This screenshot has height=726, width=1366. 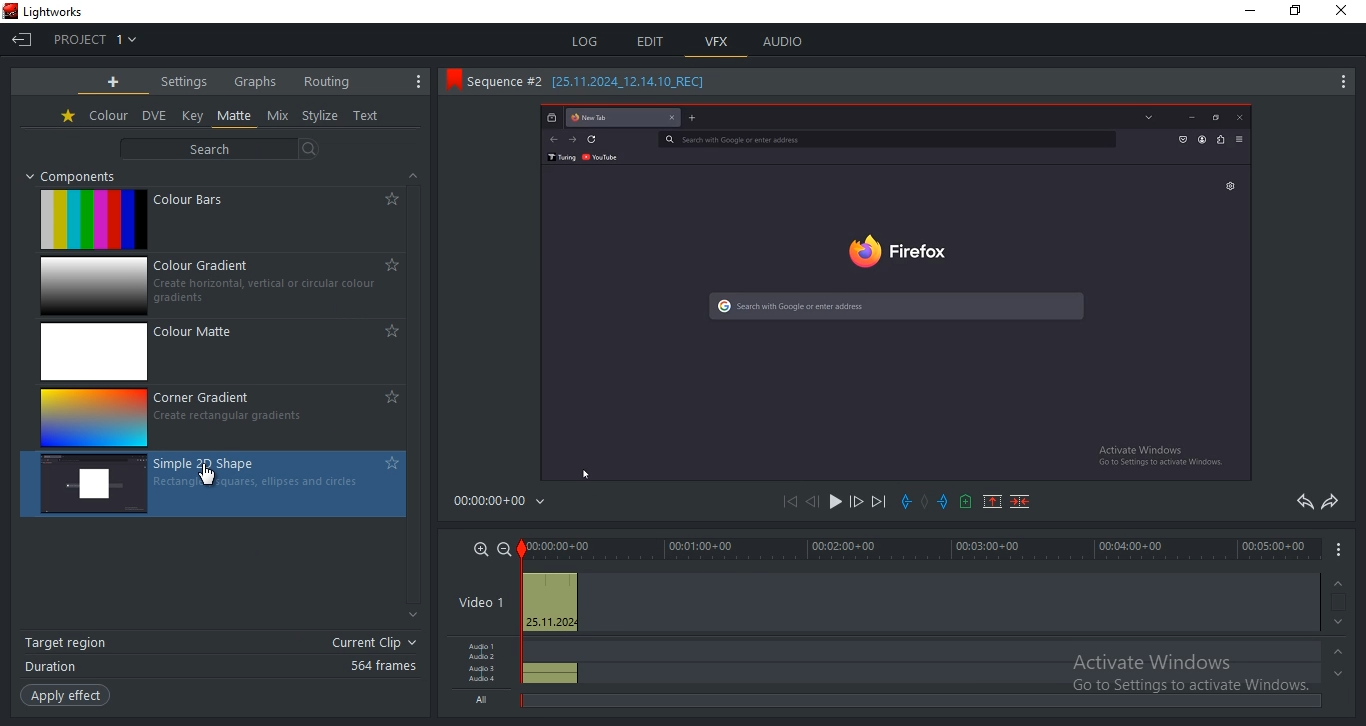 What do you see at coordinates (879, 502) in the screenshot?
I see `next` at bounding box center [879, 502].